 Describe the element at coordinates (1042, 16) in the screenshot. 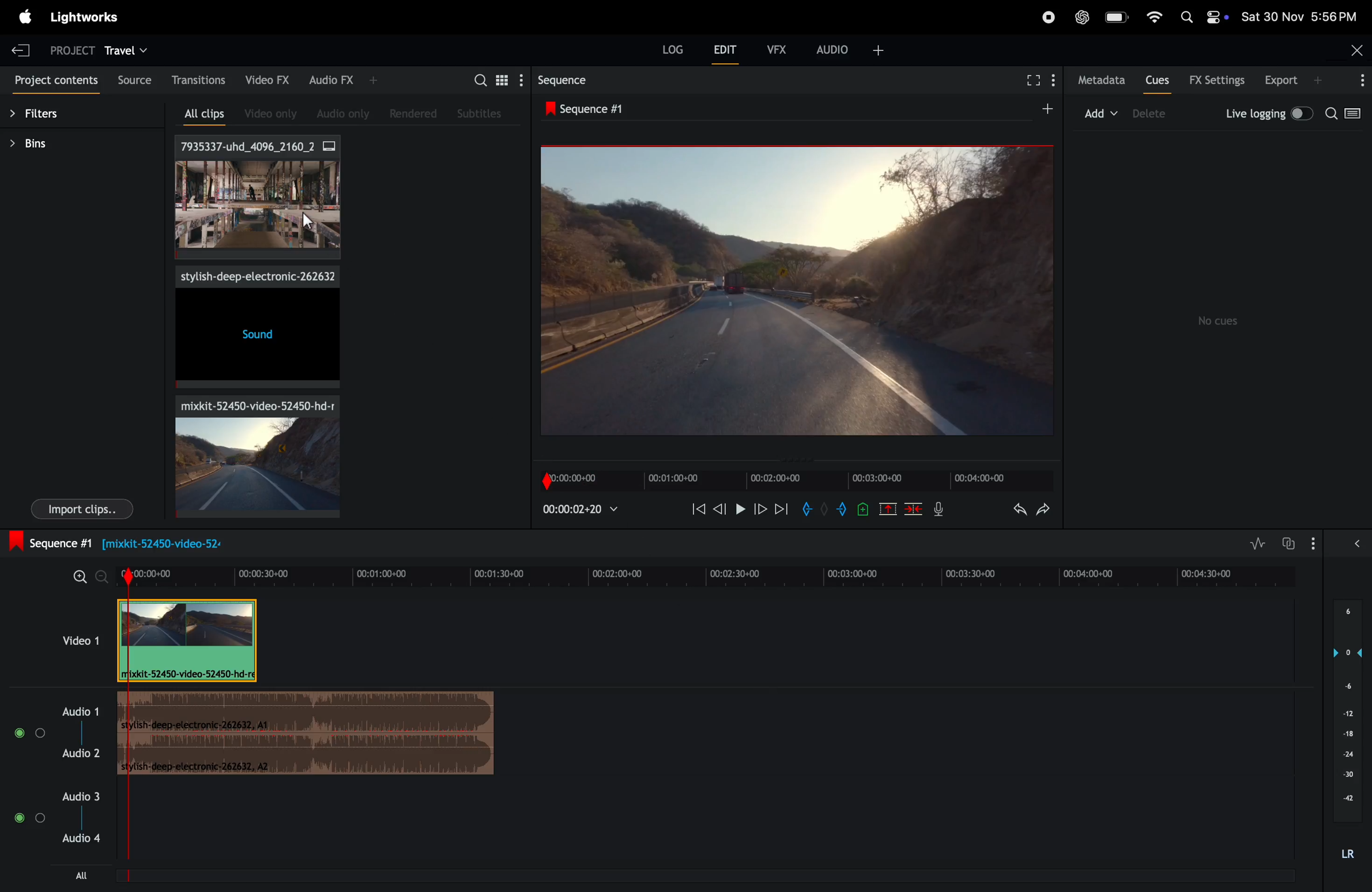

I see `record` at that location.